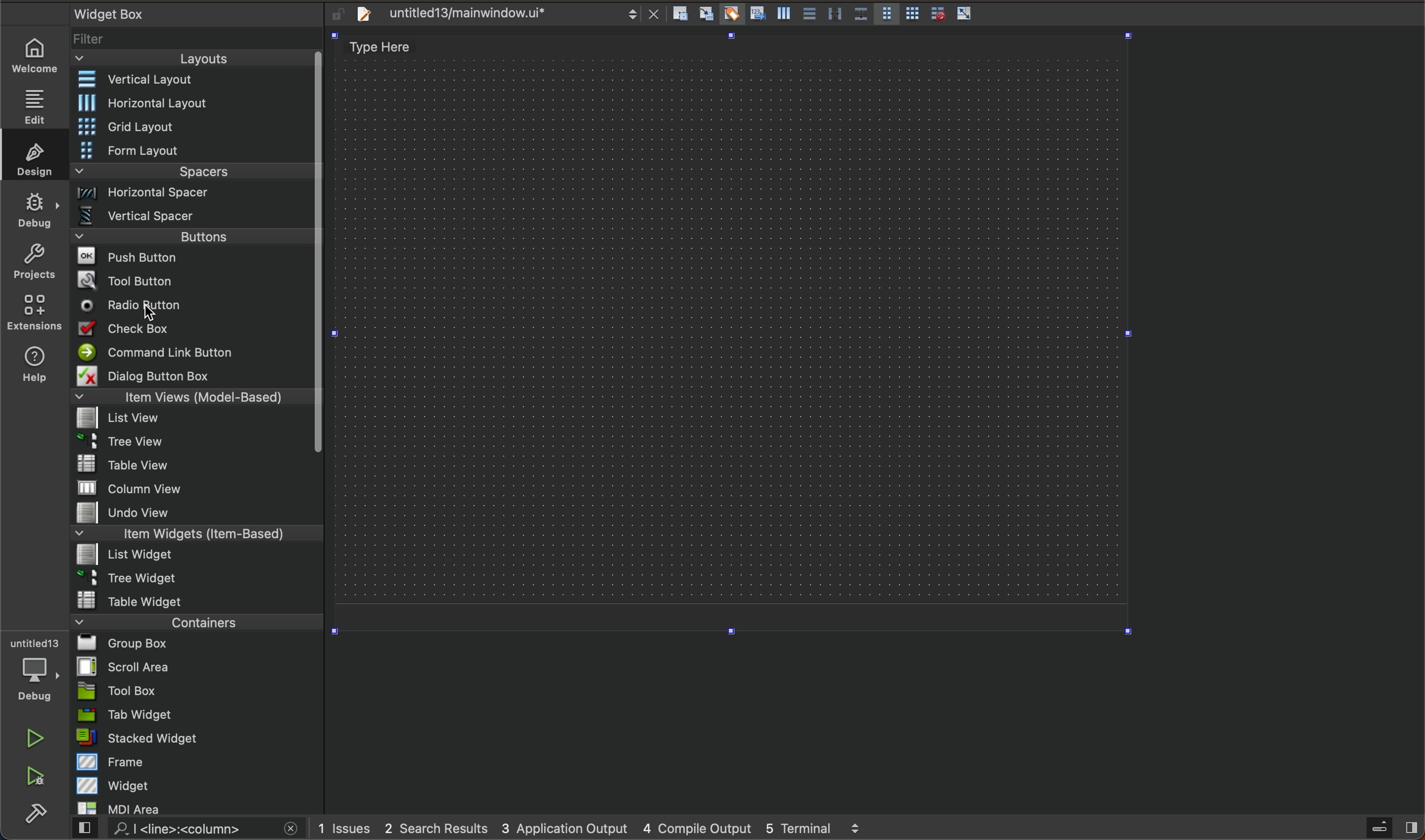 This screenshot has height=840, width=1425. What do you see at coordinates (32, 367) in the screenshot?
I see `help` at bounding box center [32, 367].